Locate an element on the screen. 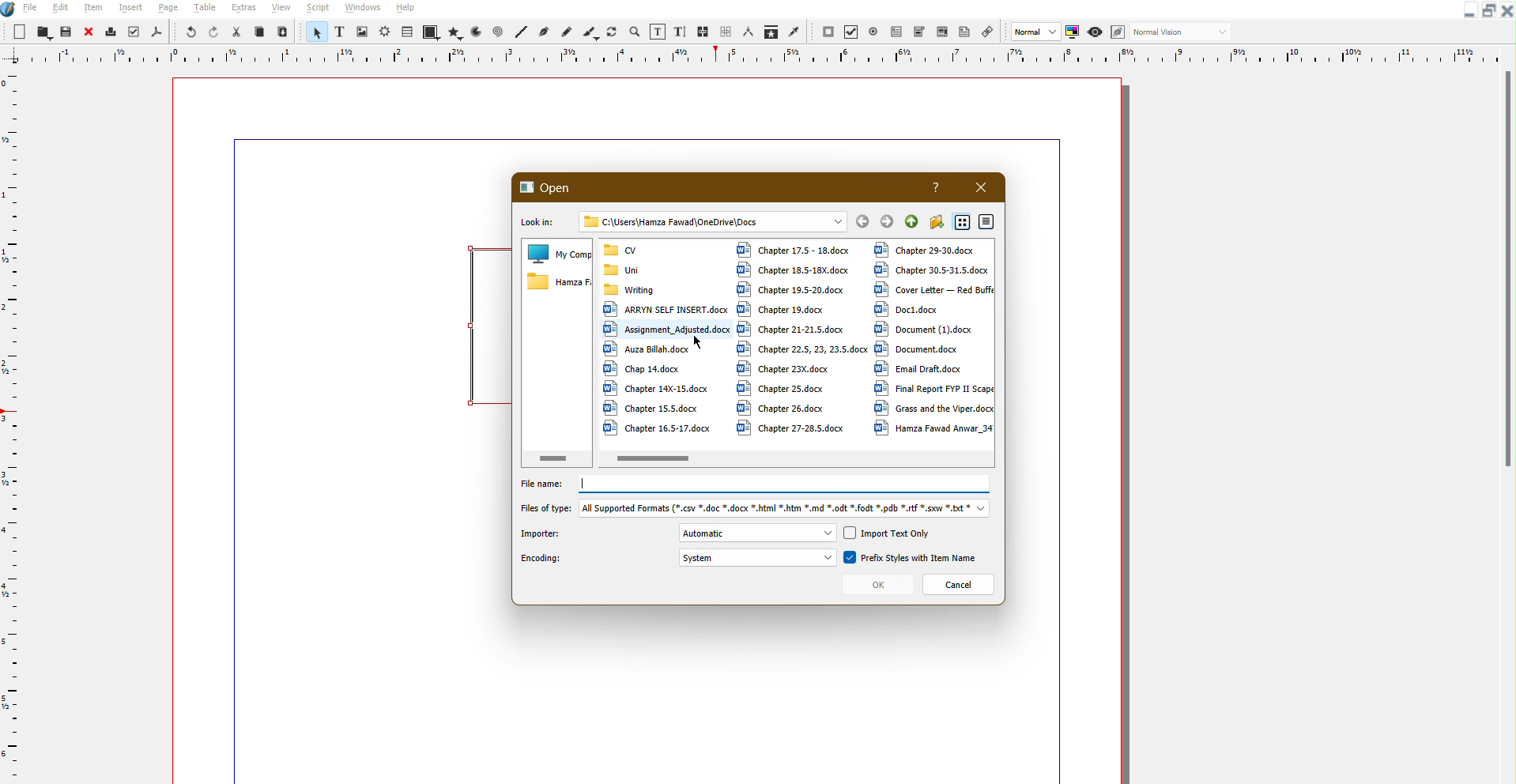  Ruler is located at coordinates (758, 56).